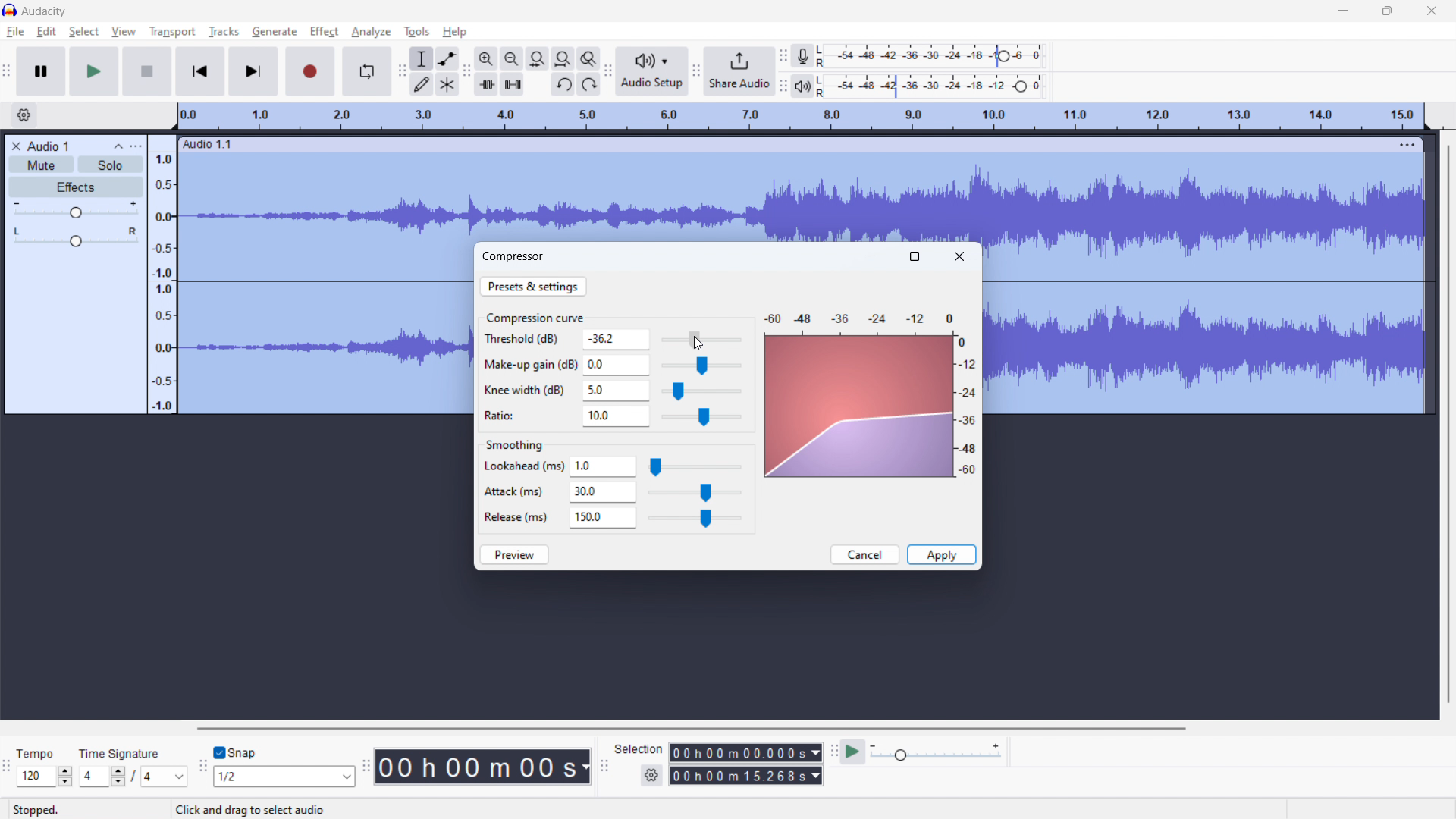 The image size is (1456, 819). What do you see at coordinates (871, 256) in the screenshot?
I see `minimize` at bounding box center [871, 256].